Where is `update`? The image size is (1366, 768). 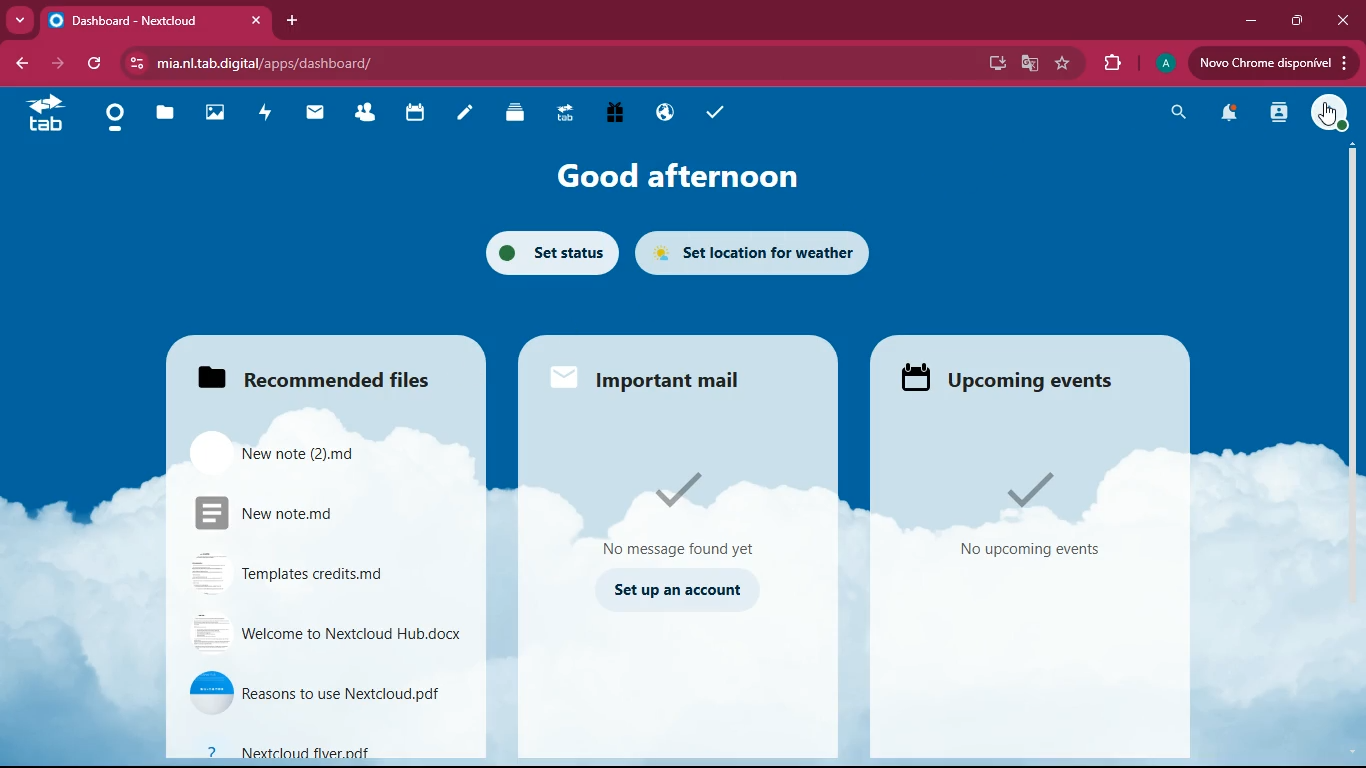 update is located at coordinates (1271, 63).